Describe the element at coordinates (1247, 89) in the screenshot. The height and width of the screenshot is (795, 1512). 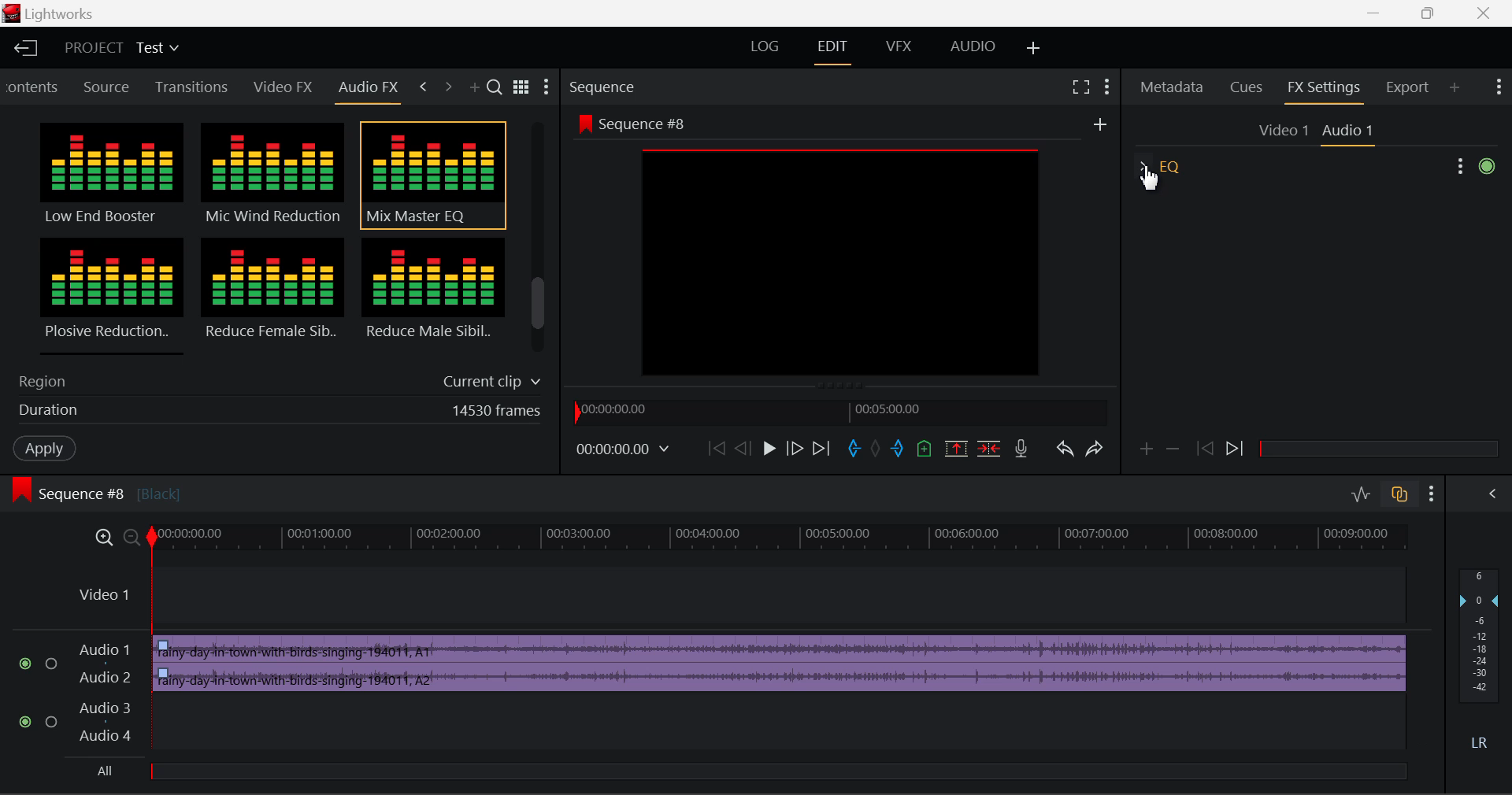
I see `Cues` at that location.